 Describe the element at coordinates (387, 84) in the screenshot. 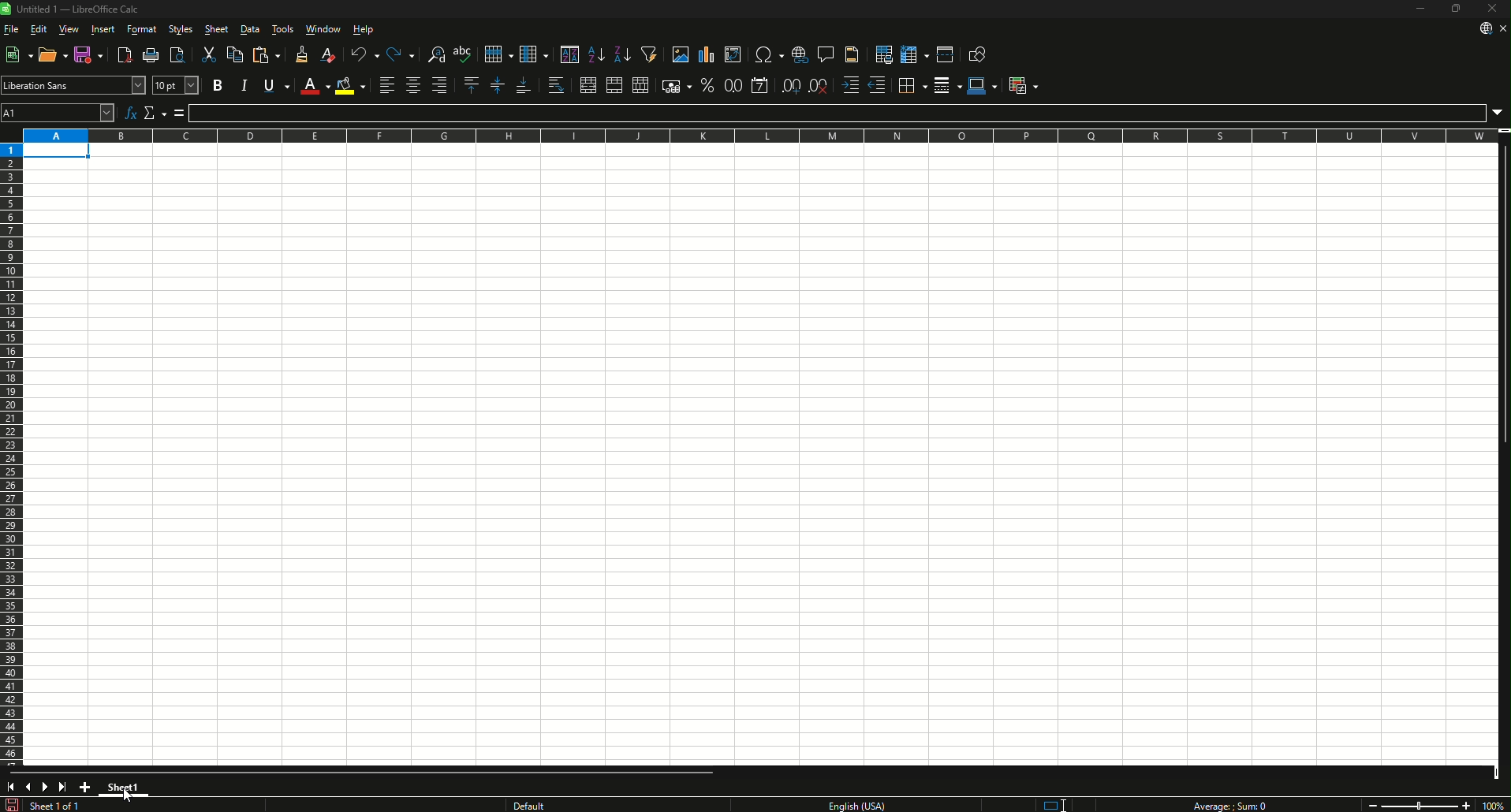

I see `Align Left` at that location.